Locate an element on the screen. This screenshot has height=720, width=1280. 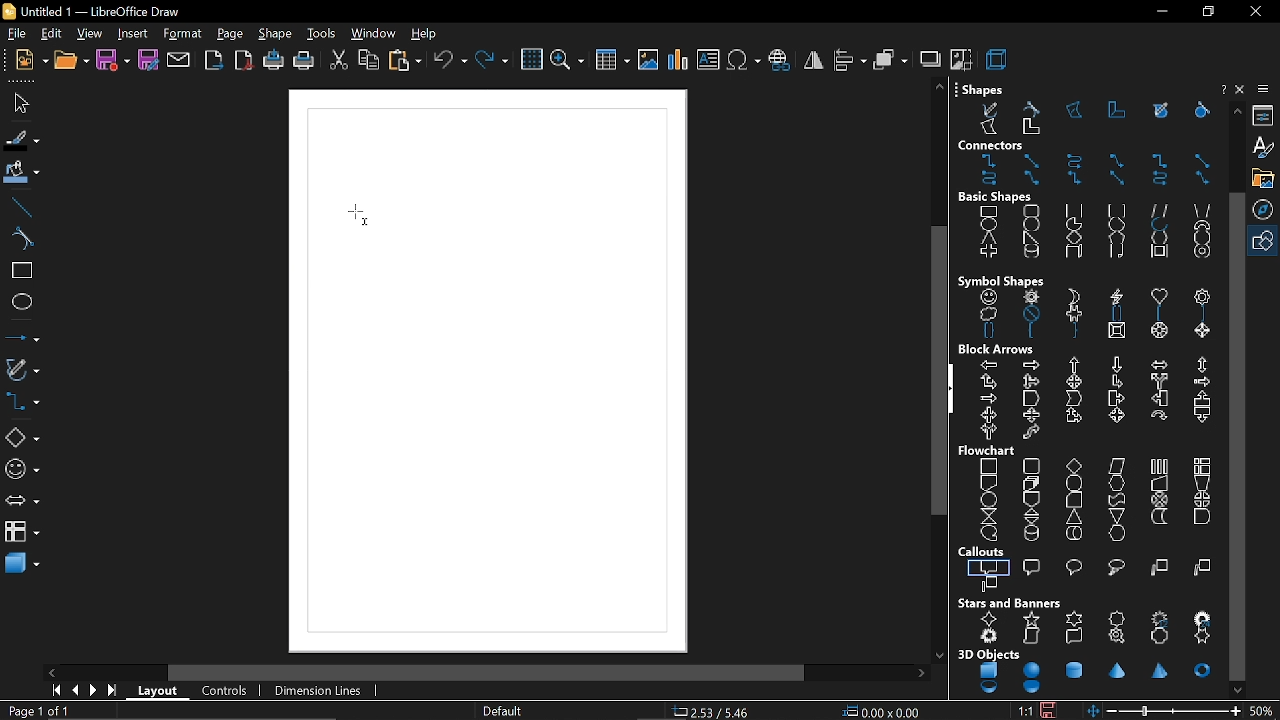
undo is located at coordinates (450, 61).